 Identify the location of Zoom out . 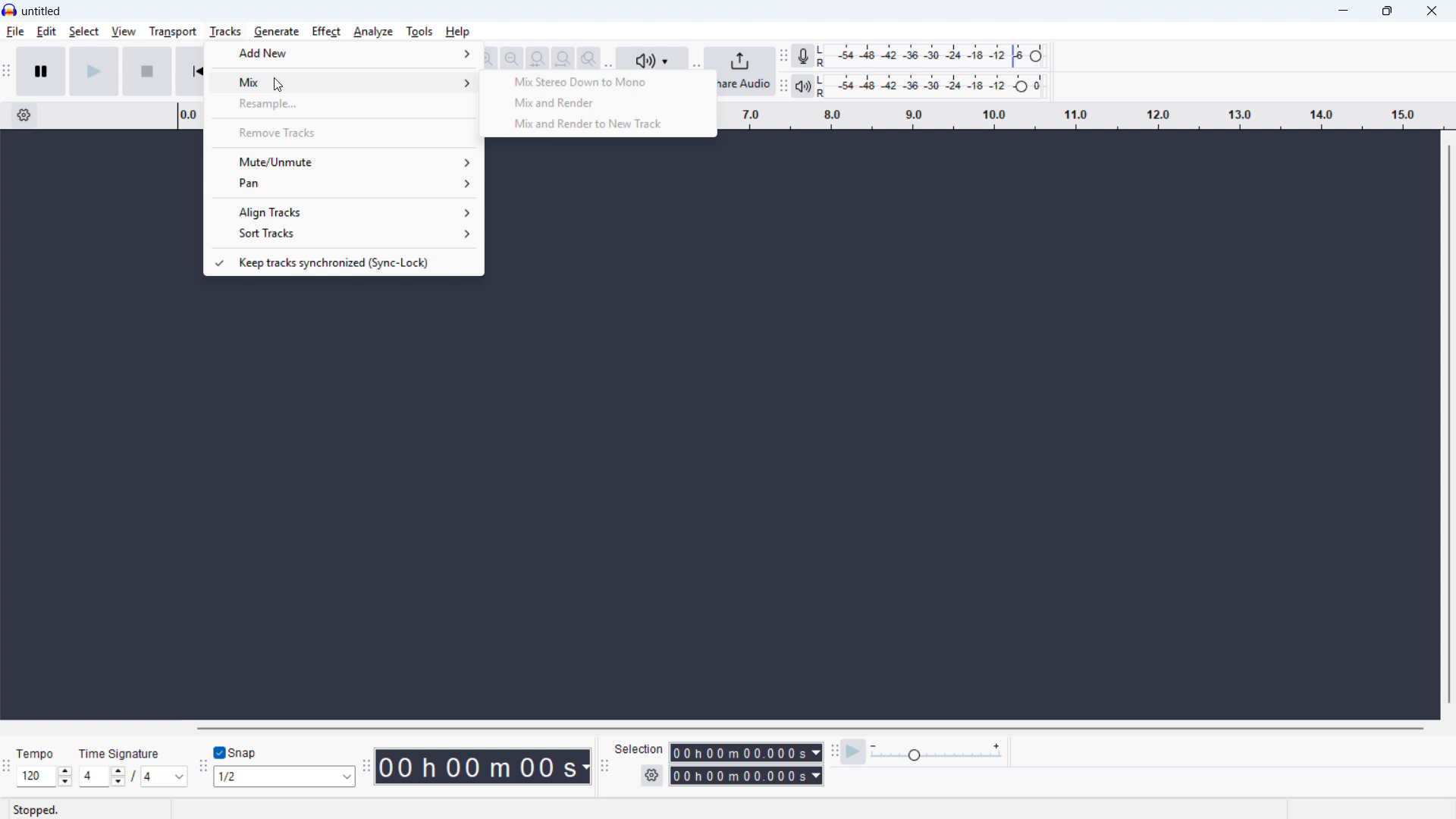
(487, 58).